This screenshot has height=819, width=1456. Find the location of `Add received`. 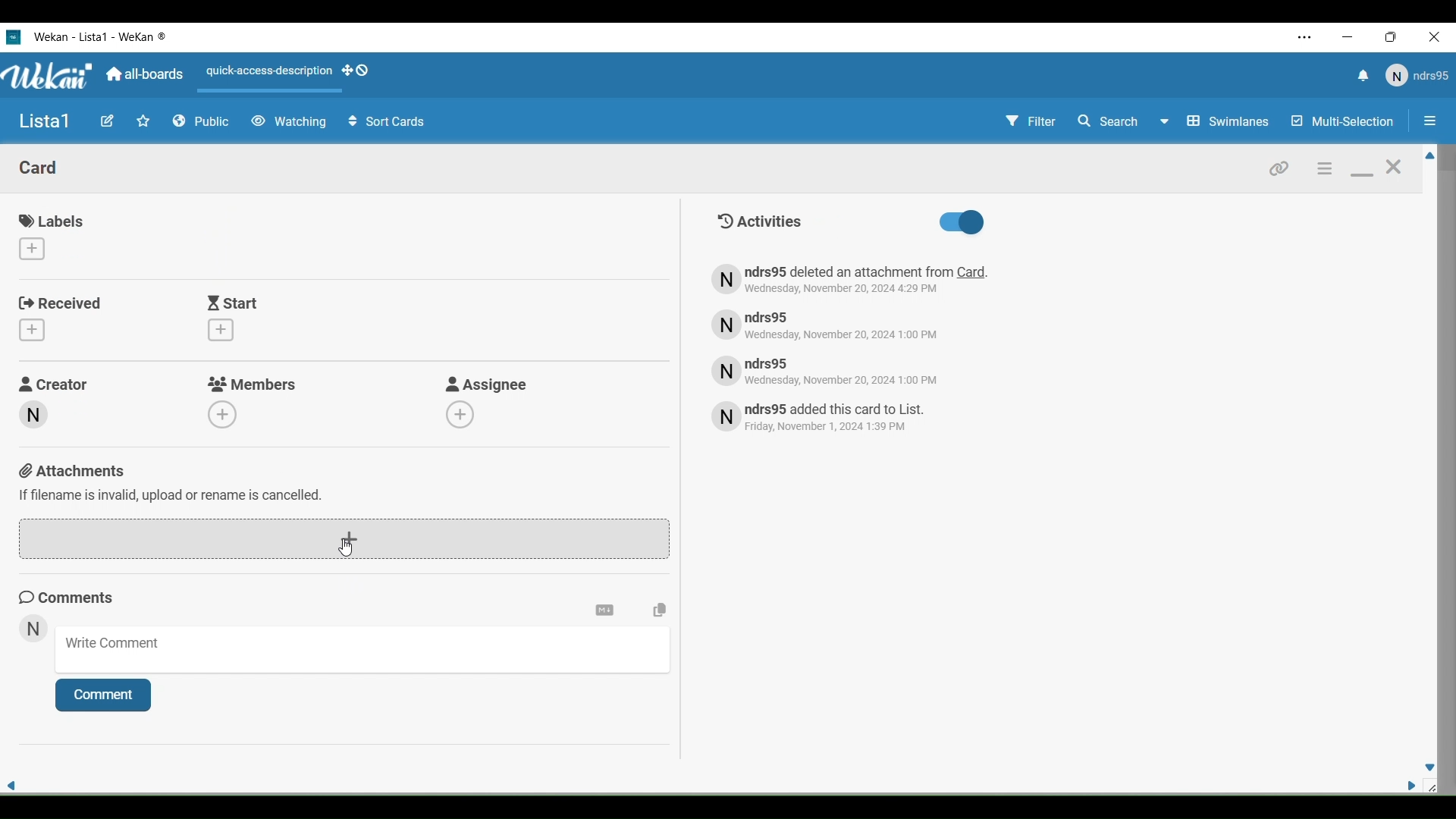

Add received is located at coordinates (31, 330).